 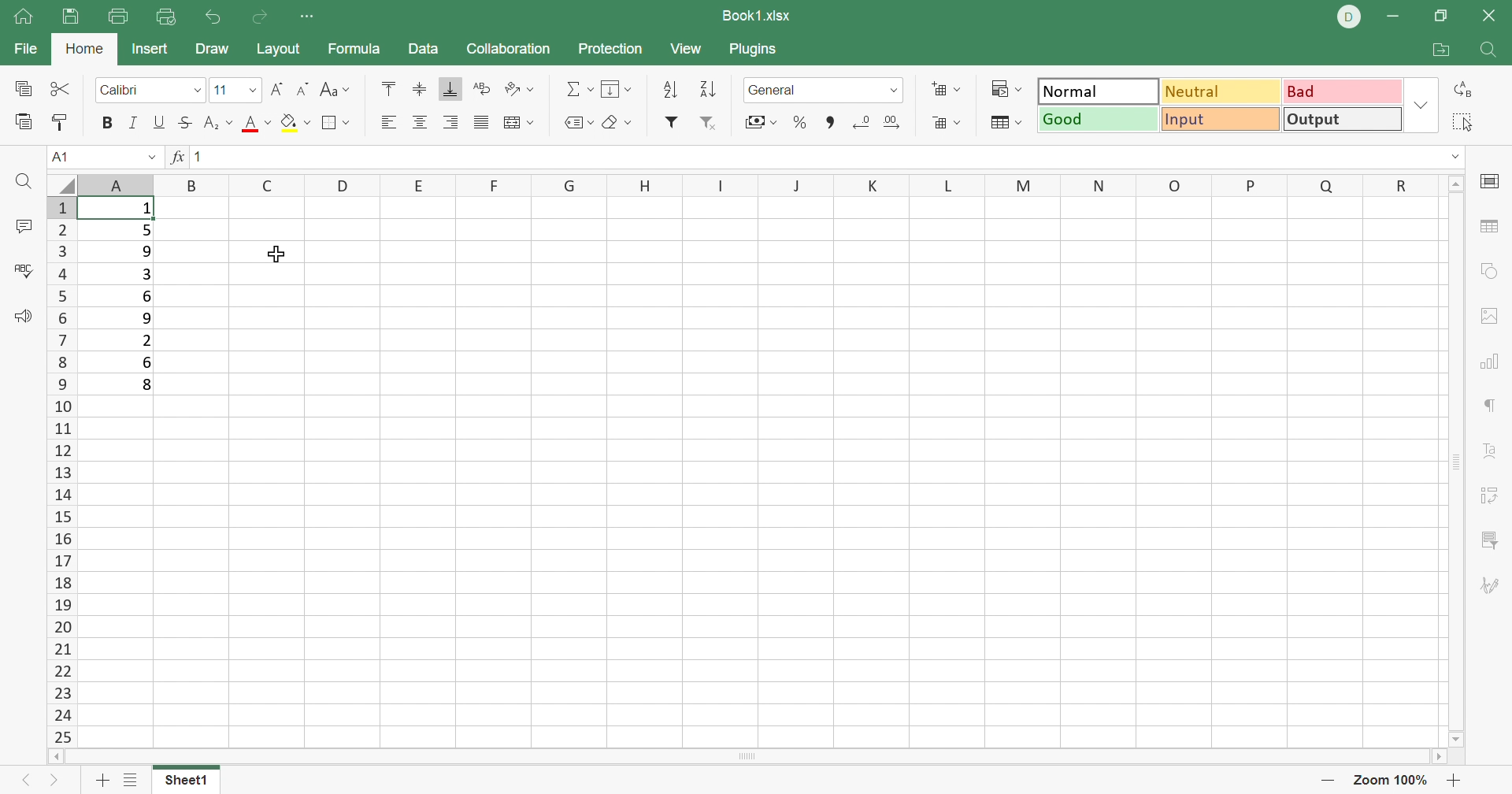 What do you see at coordinates (948, 90) in the screenshot?
I see `Insert cells` at bounding box center [948, 90].